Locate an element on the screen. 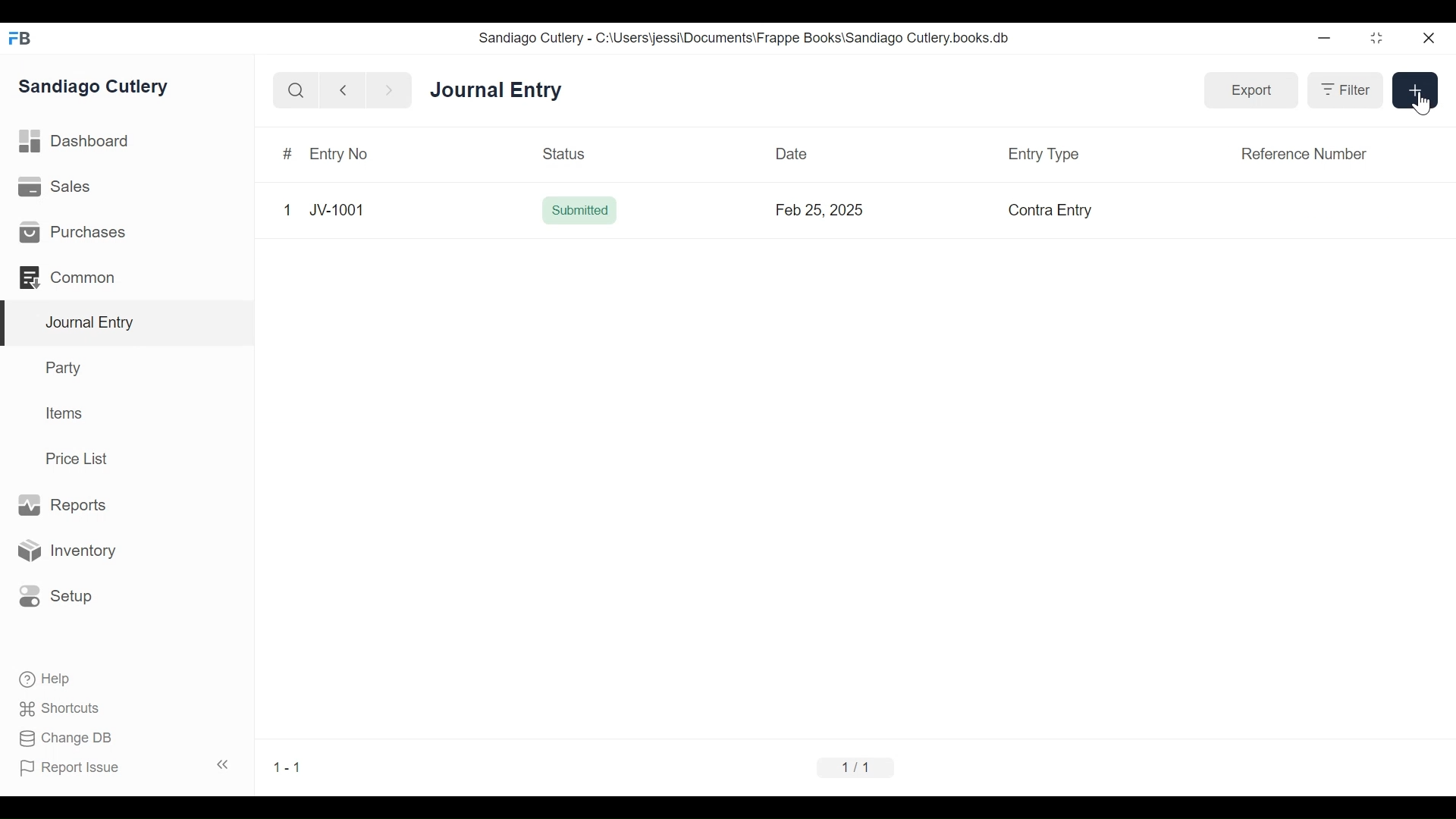  Submitted is located at coordinates (580, 211).